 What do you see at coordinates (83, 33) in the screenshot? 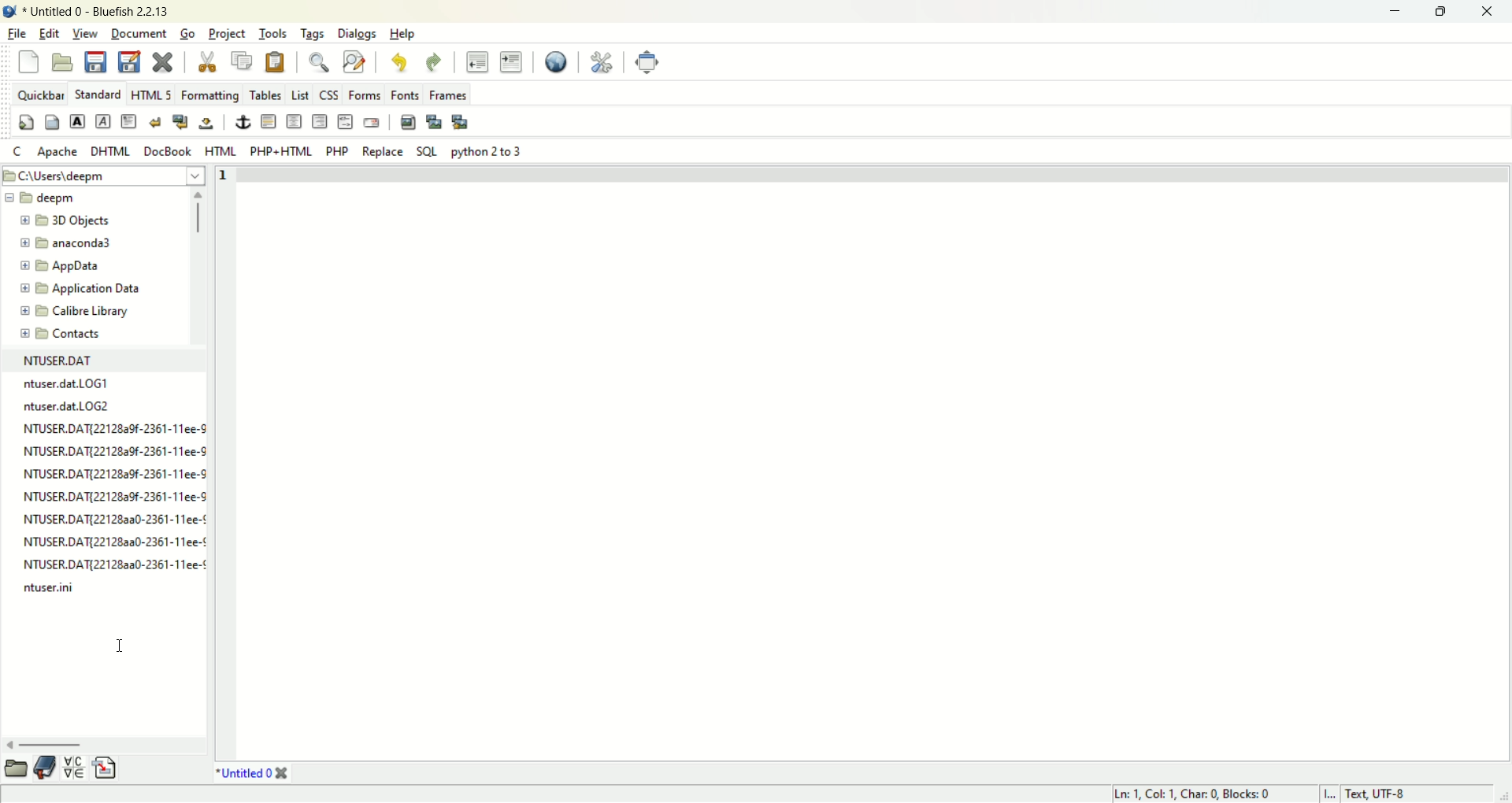
I see `view` at bounding box center [83, 33].